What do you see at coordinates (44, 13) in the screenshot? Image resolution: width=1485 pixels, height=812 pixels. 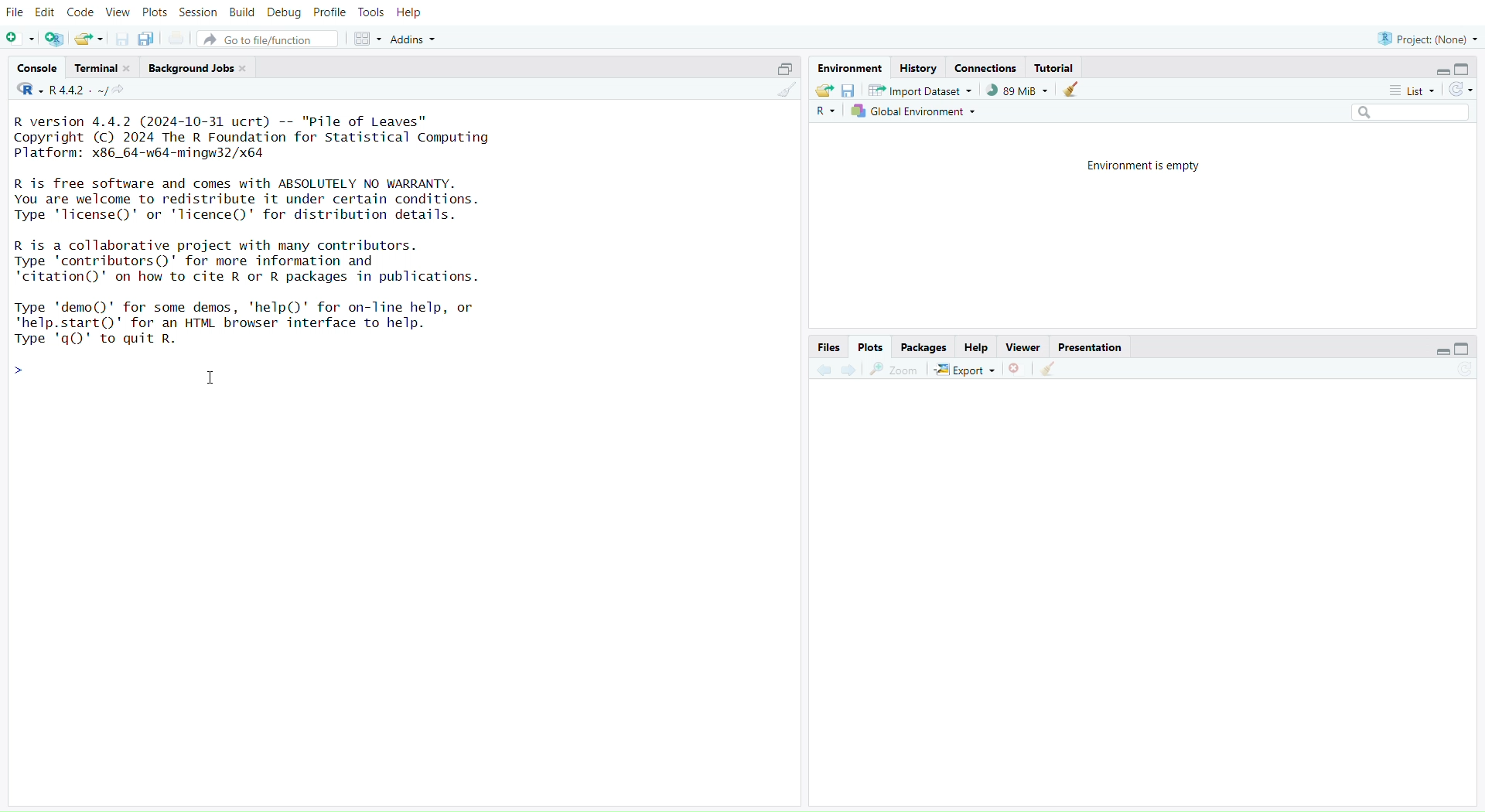 I see `Edit` at bounding box center [44, 13].